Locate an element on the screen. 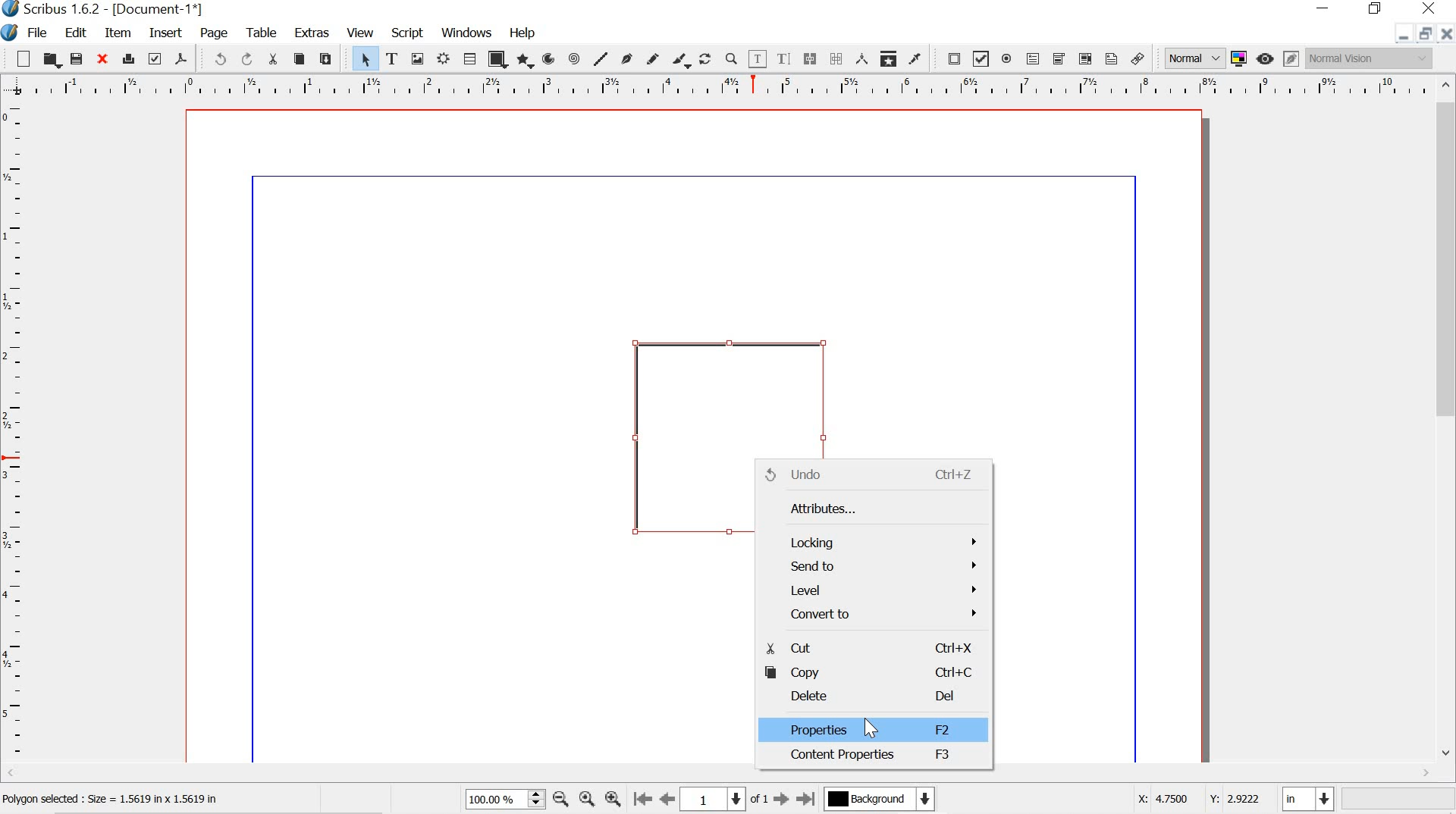 Image resolution: width=1456 pixels, height=814 pixels. attributes is located at coordinates (870, 506).